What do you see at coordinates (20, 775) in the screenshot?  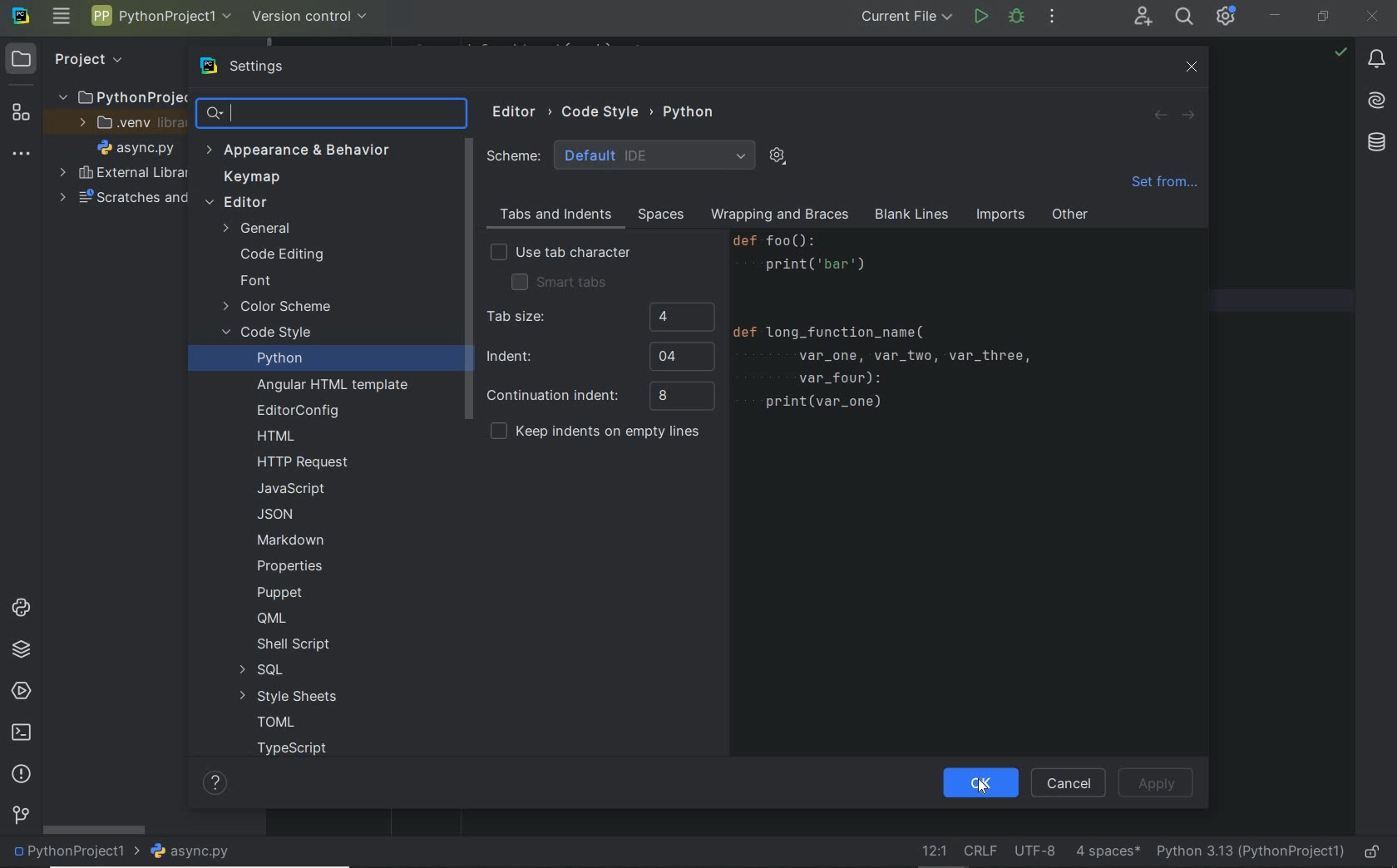 I see `problems` at bounding box center [20, 775].